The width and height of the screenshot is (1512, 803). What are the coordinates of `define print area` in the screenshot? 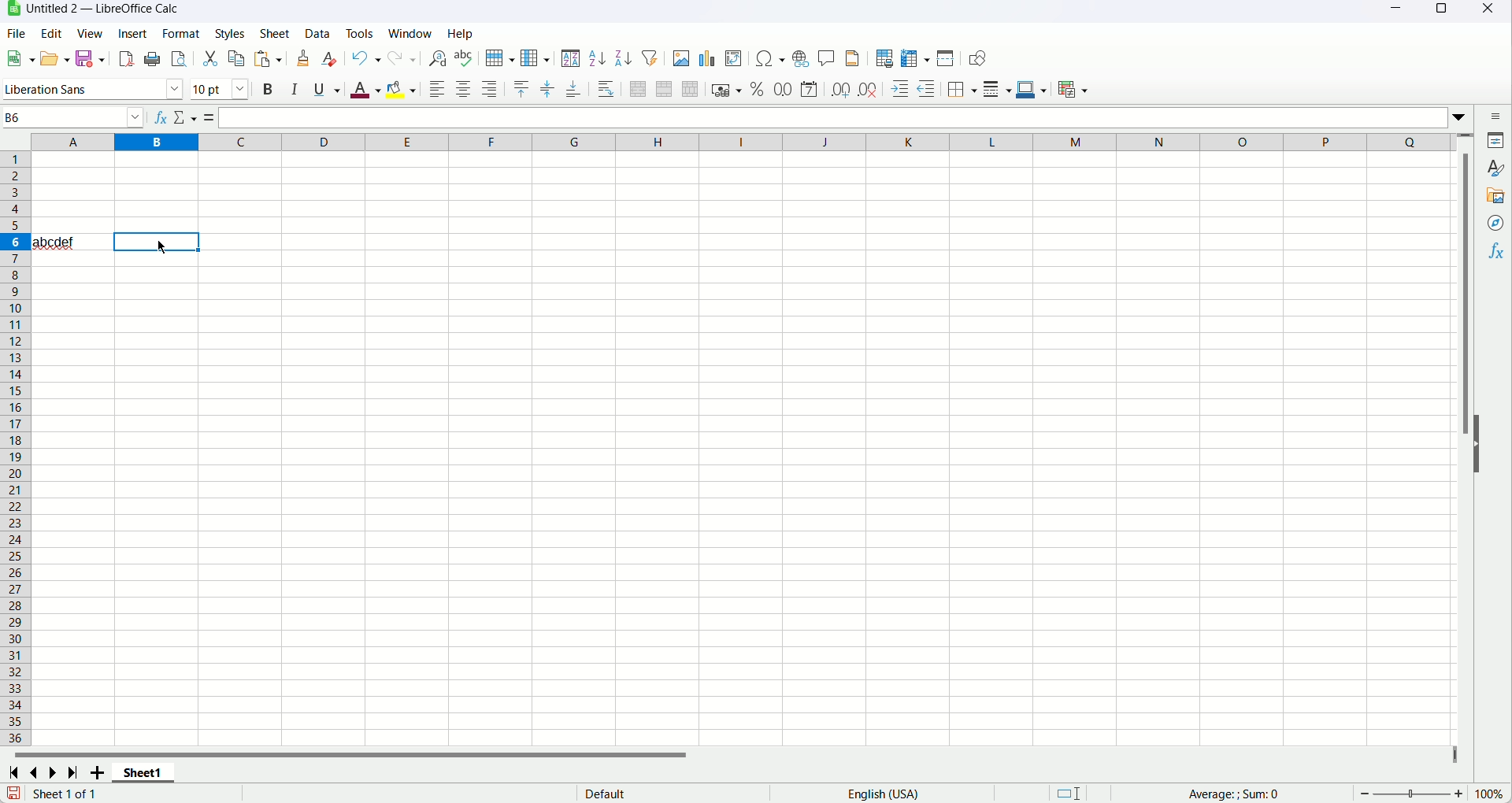 It's located at (883, 59).